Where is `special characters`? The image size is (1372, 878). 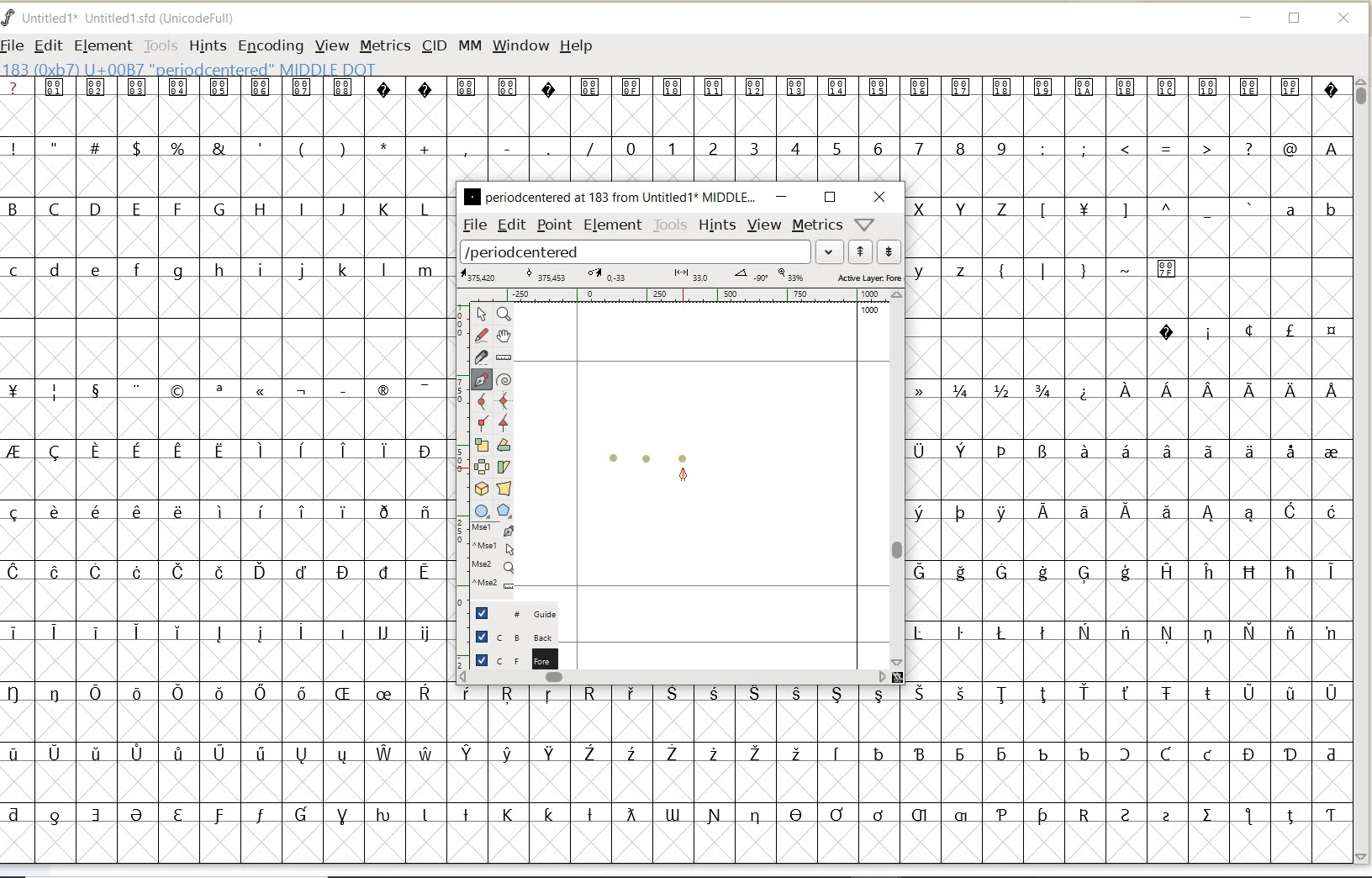
special characters is located at coordinates (673, 98).